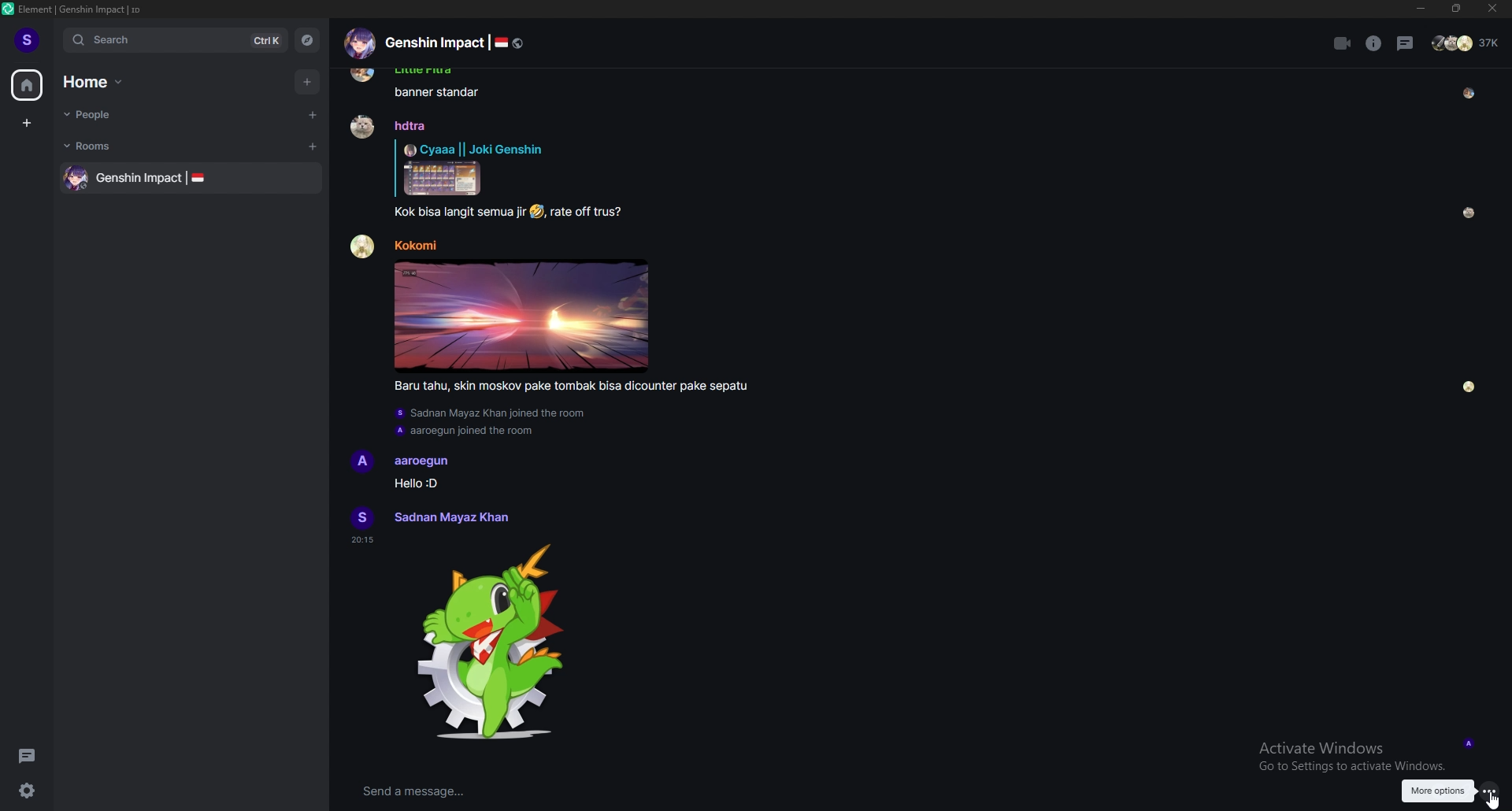 The width and height of the screenshot is (1512, 811). What do you see at coordinates (1422, 9) in the screenshot?
I see `minimize` at bounding box center [1422, 9].